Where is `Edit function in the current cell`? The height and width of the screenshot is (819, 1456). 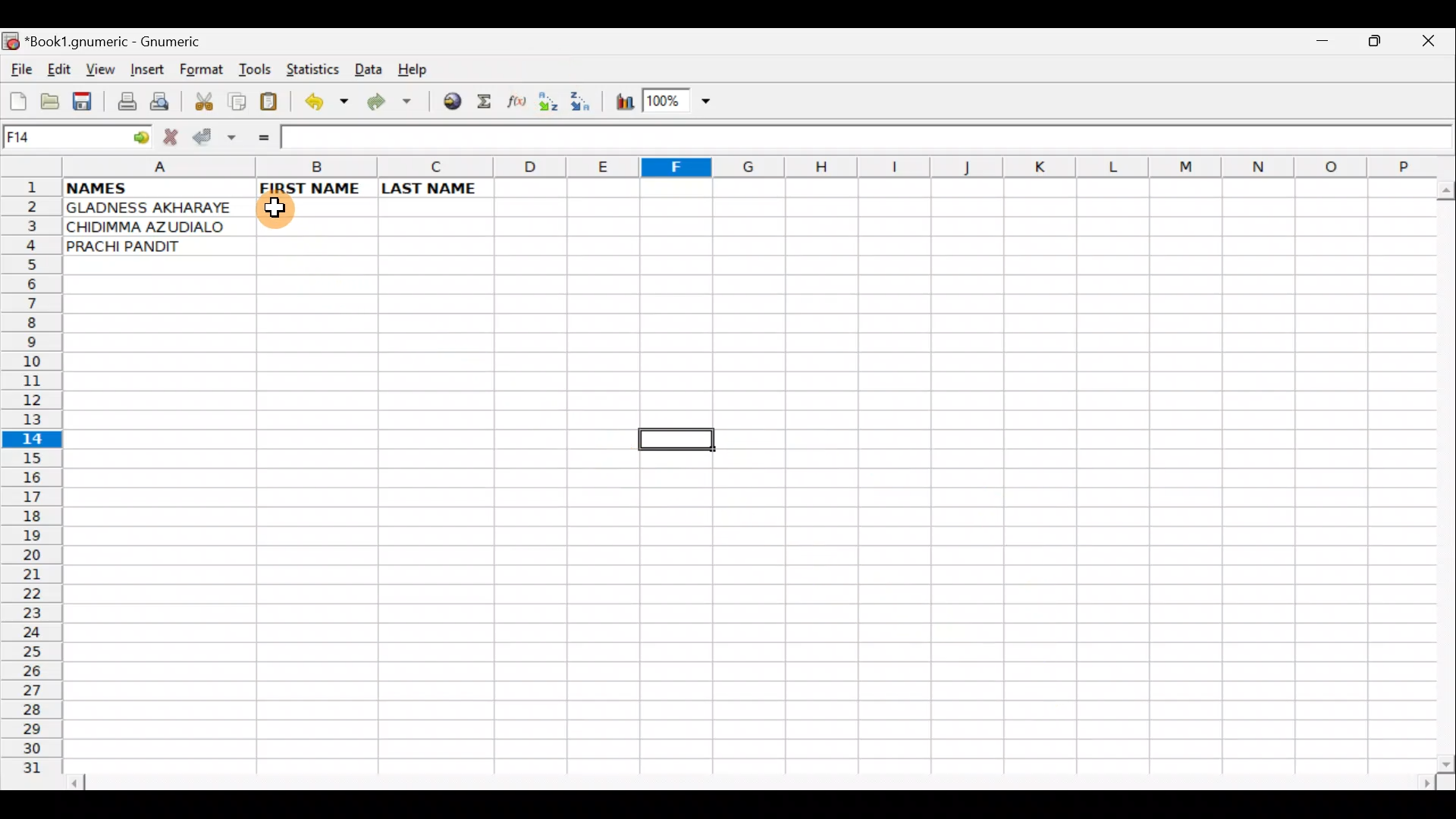 Edit function in the current cell is located at coordinates (519, 105).